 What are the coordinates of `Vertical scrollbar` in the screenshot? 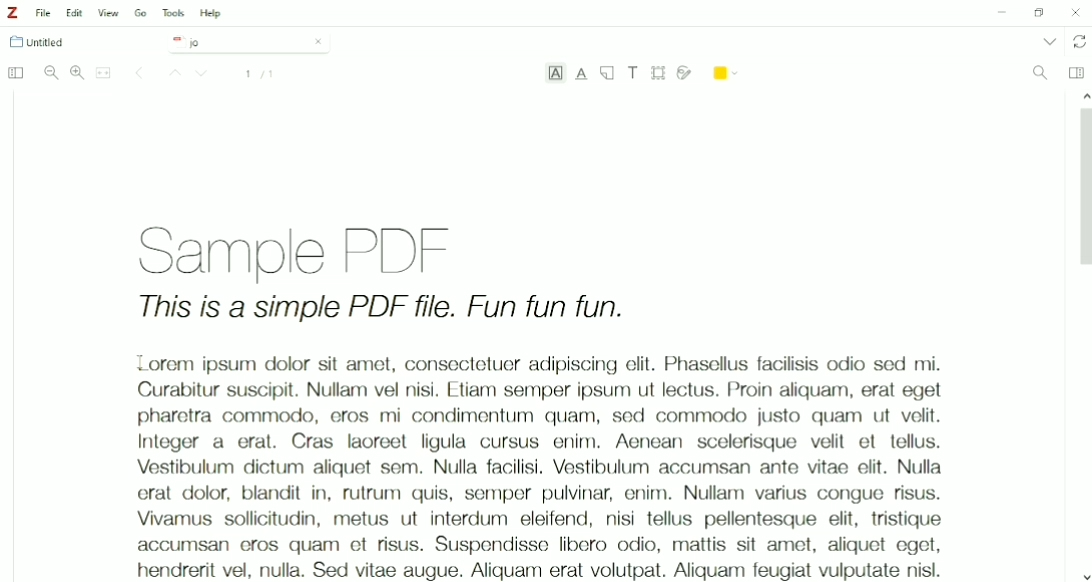 It's located at (1082, 192).